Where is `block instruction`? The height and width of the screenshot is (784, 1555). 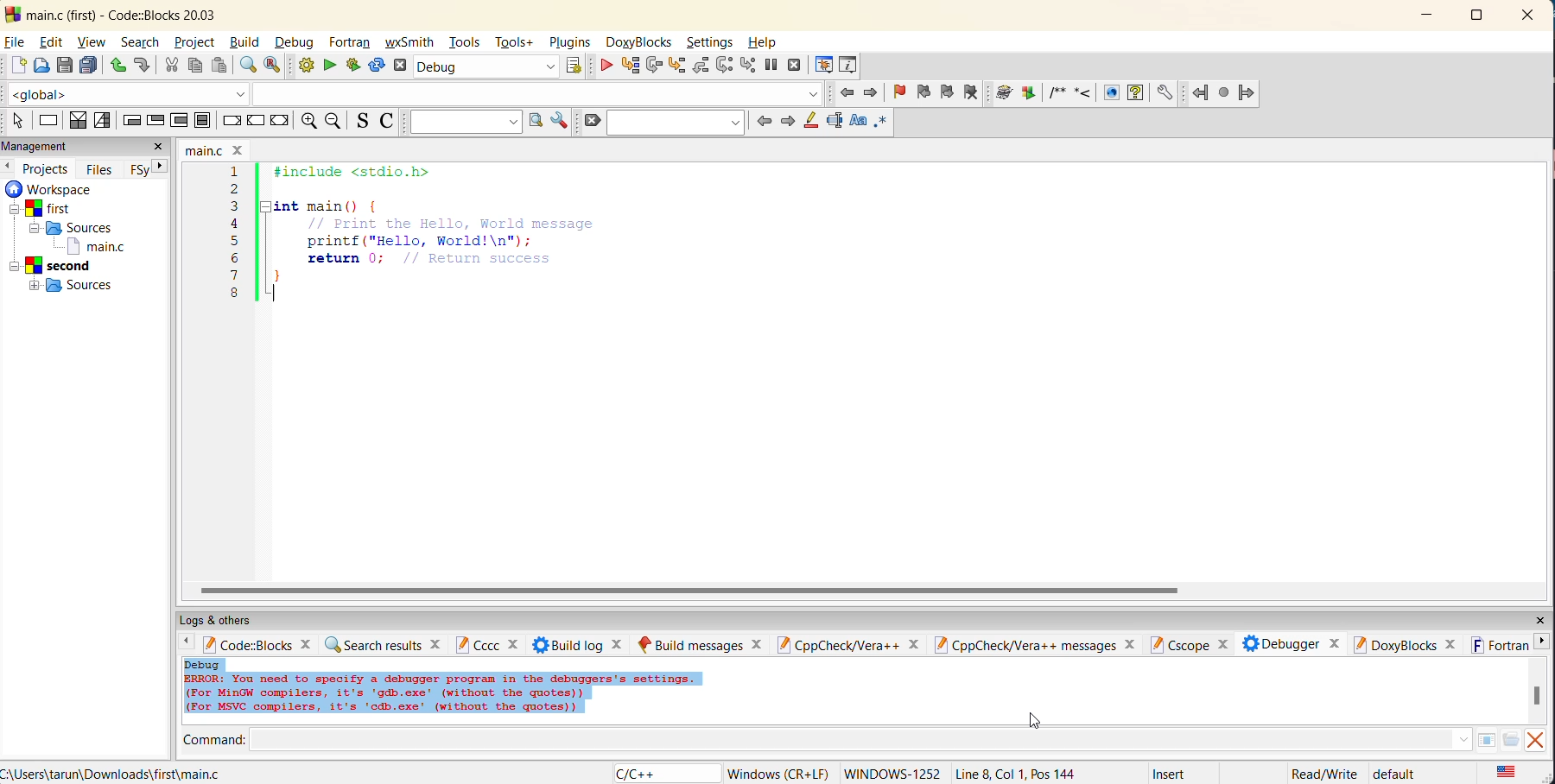 block instruction is located at coordinates (202, 121).